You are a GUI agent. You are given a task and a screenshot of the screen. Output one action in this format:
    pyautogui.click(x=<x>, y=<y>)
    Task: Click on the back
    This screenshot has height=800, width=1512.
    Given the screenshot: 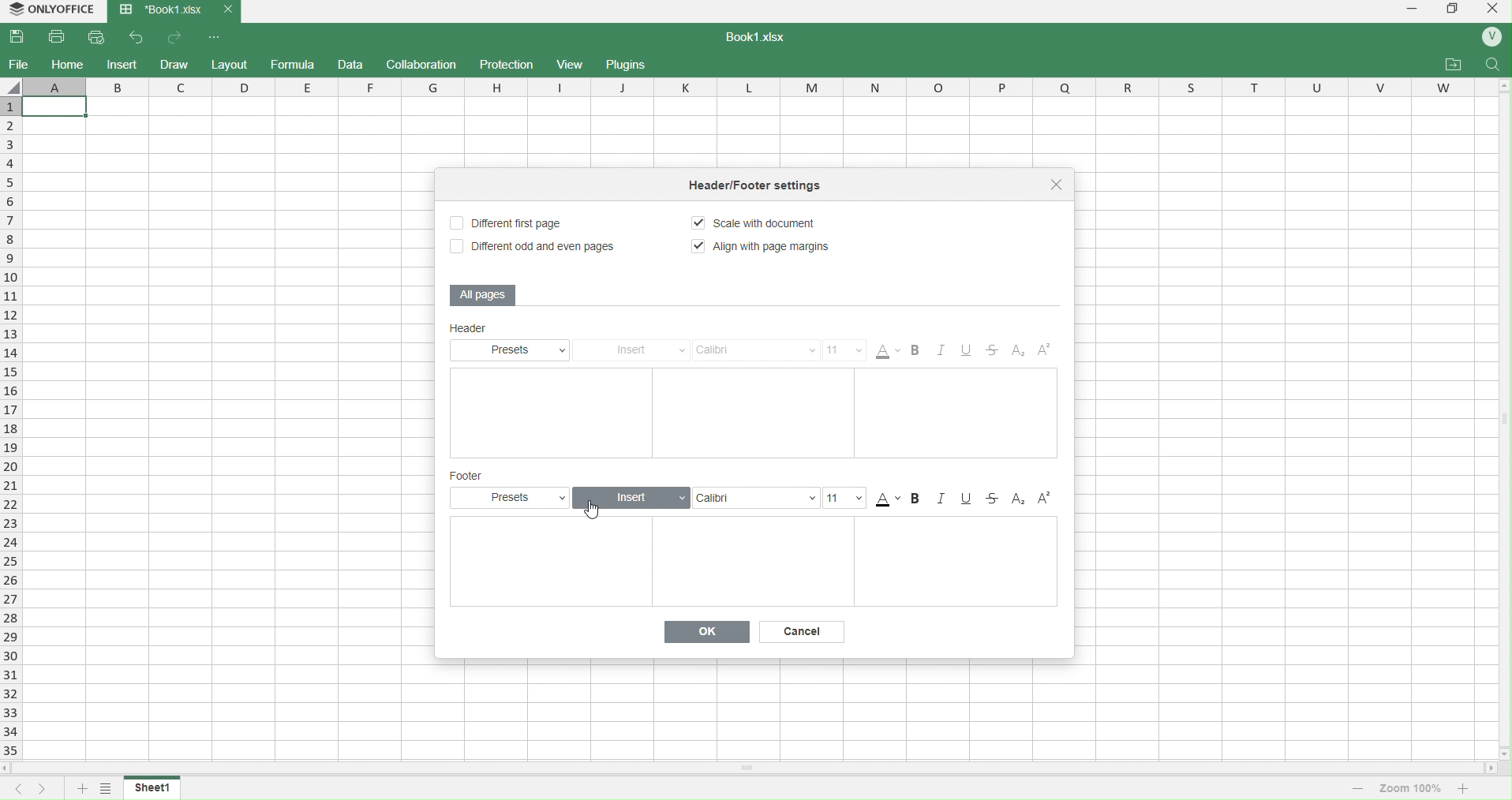 What is the action you would take?
    pyautogui.click(x=137, y=36)
    